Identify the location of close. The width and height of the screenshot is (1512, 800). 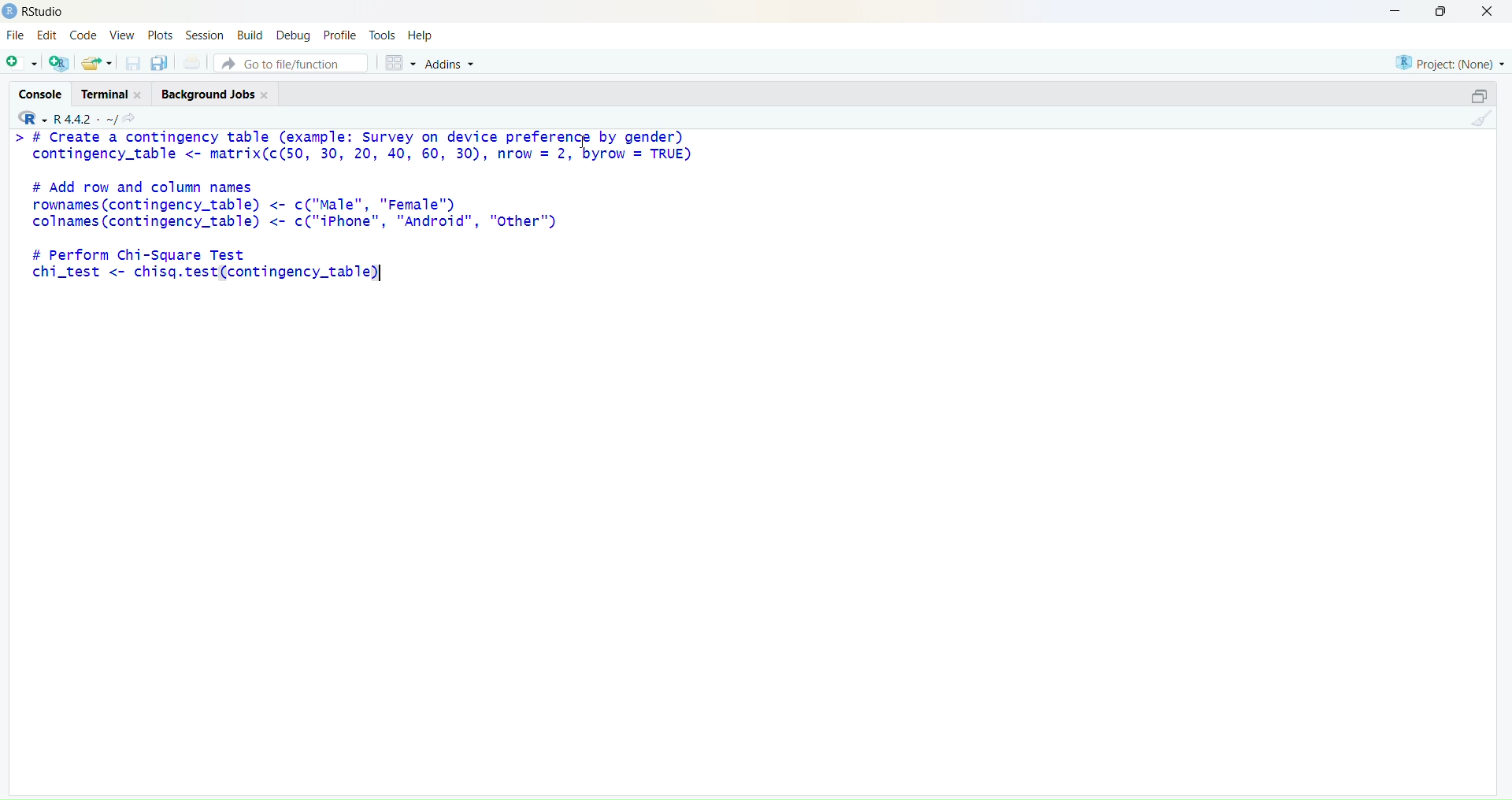
(139, 95).